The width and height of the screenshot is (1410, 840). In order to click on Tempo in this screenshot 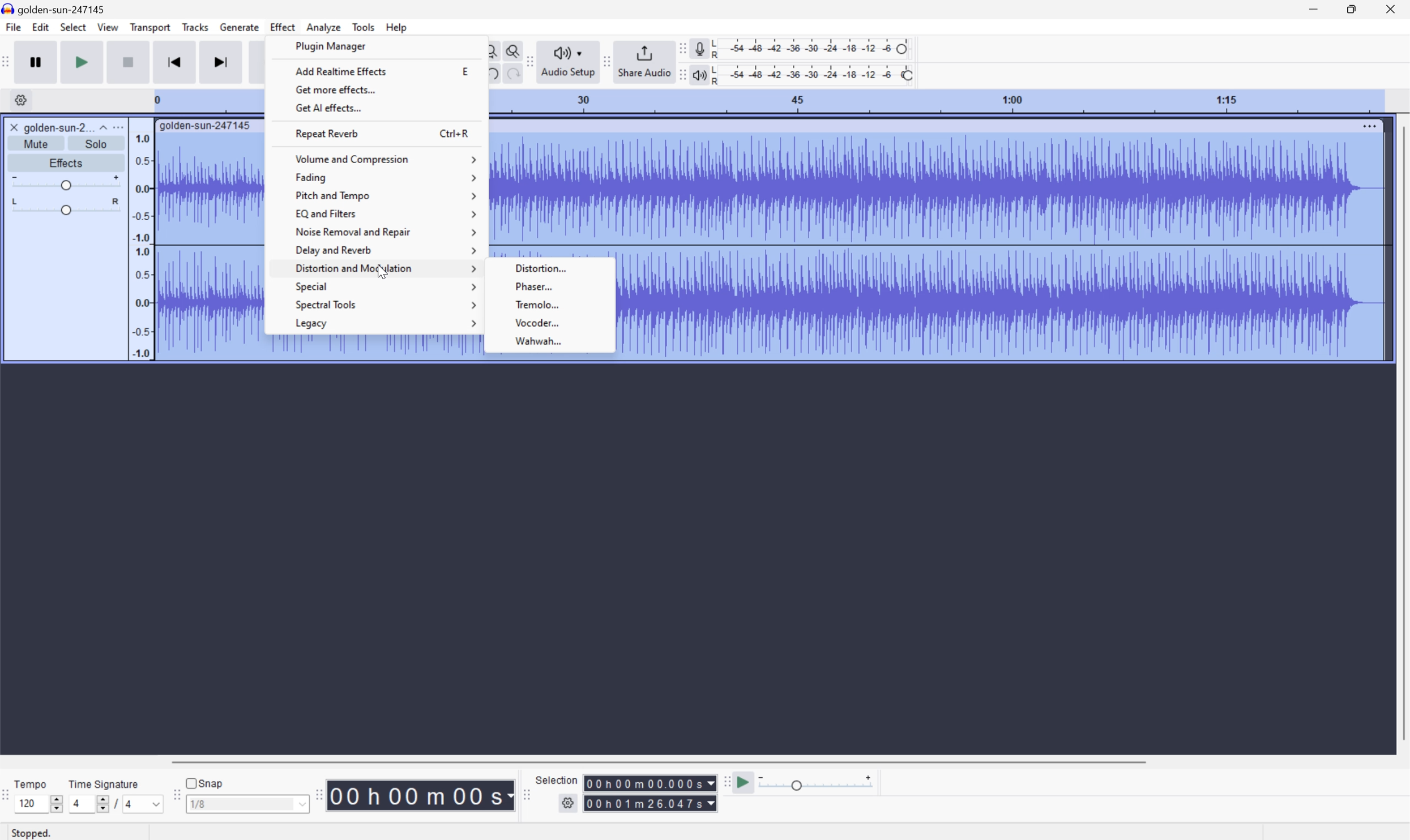, I will do `click(31, 783)`.